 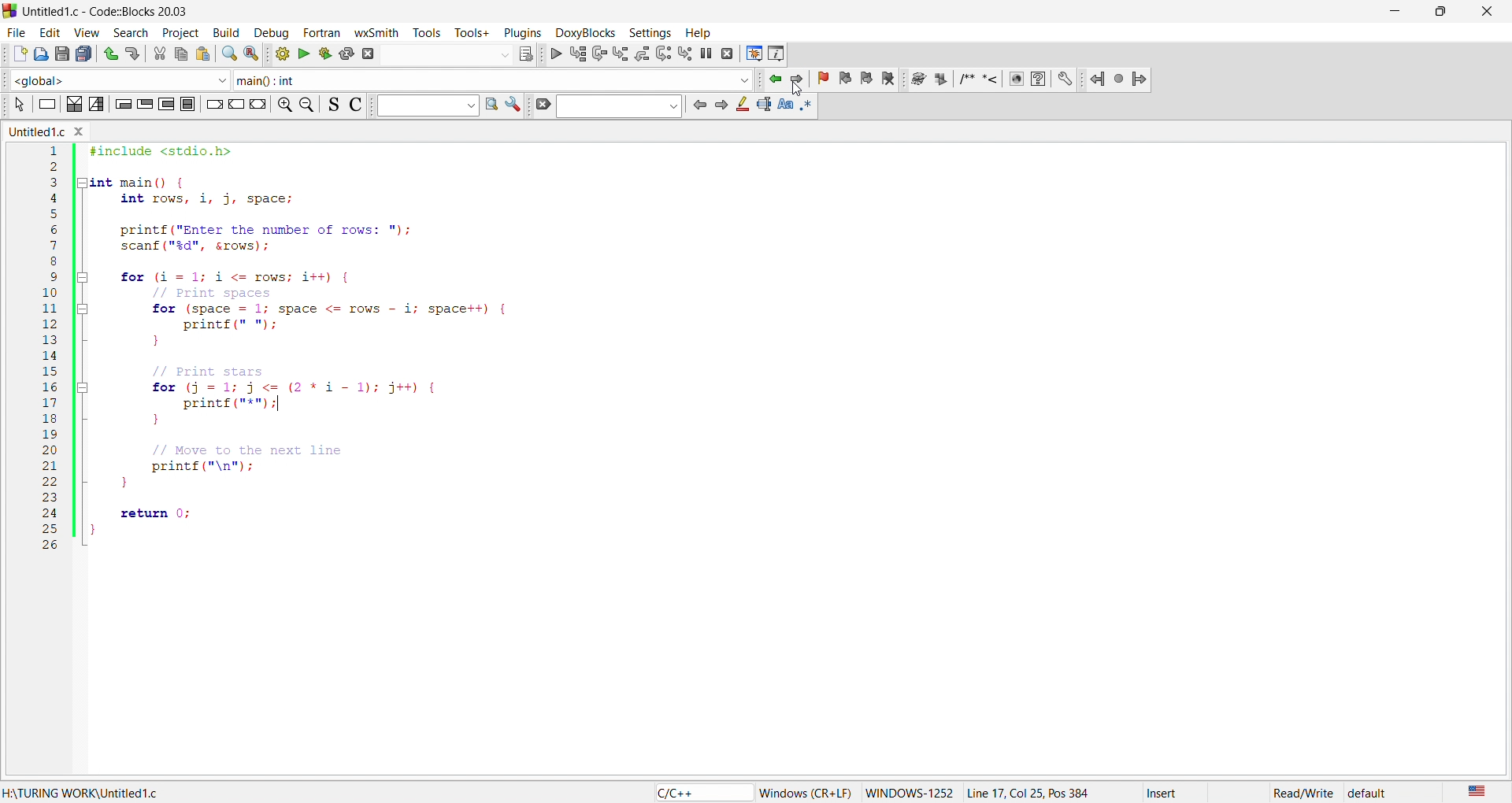 I want to click on tools, so click(x=428, y=31).